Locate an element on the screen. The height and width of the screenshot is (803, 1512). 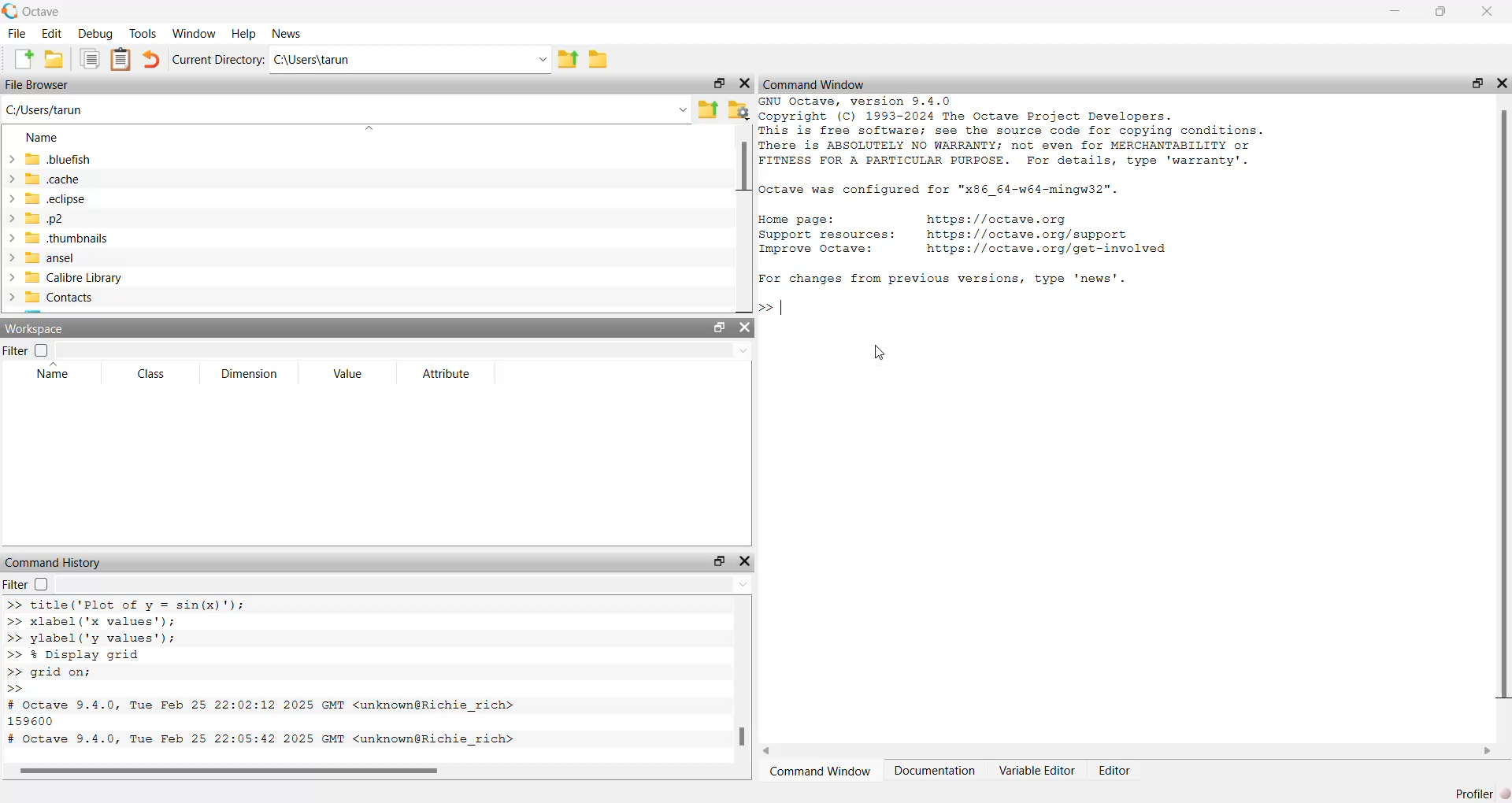
Edit is located at coordinates (52, 35).